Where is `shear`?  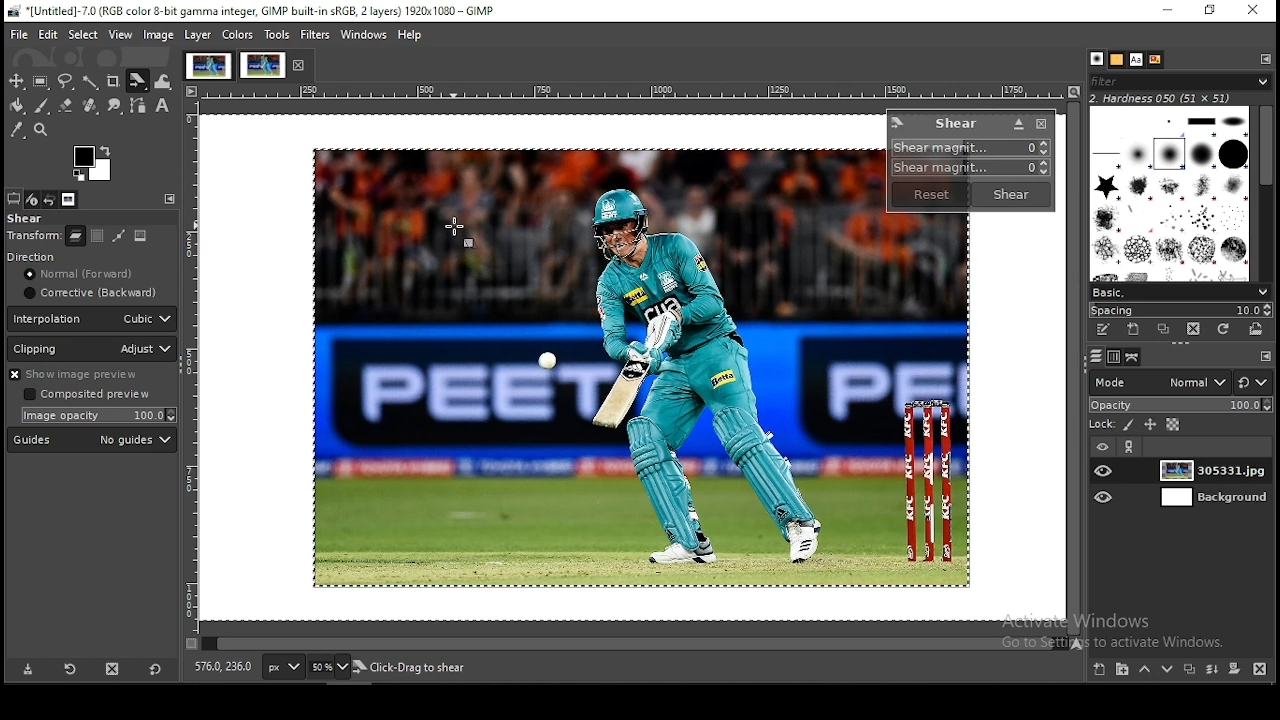 shear is located at coordinates (956, 123).